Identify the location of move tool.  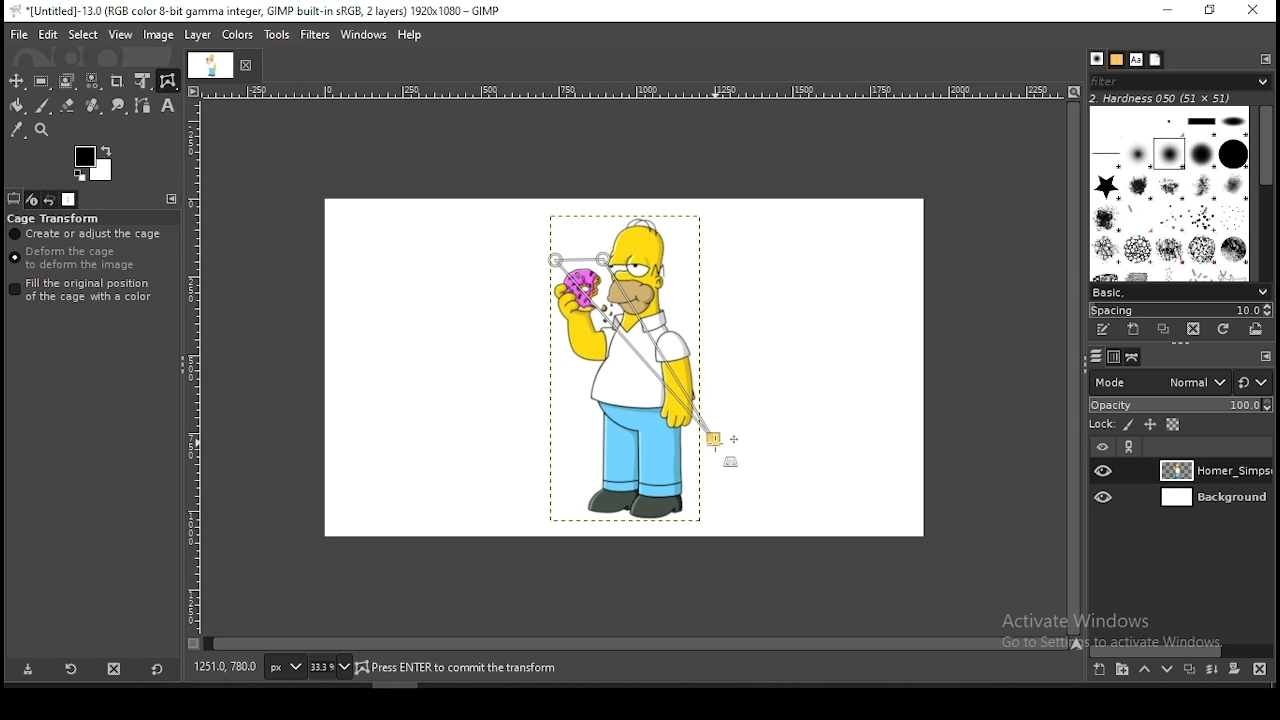
(17, 81).